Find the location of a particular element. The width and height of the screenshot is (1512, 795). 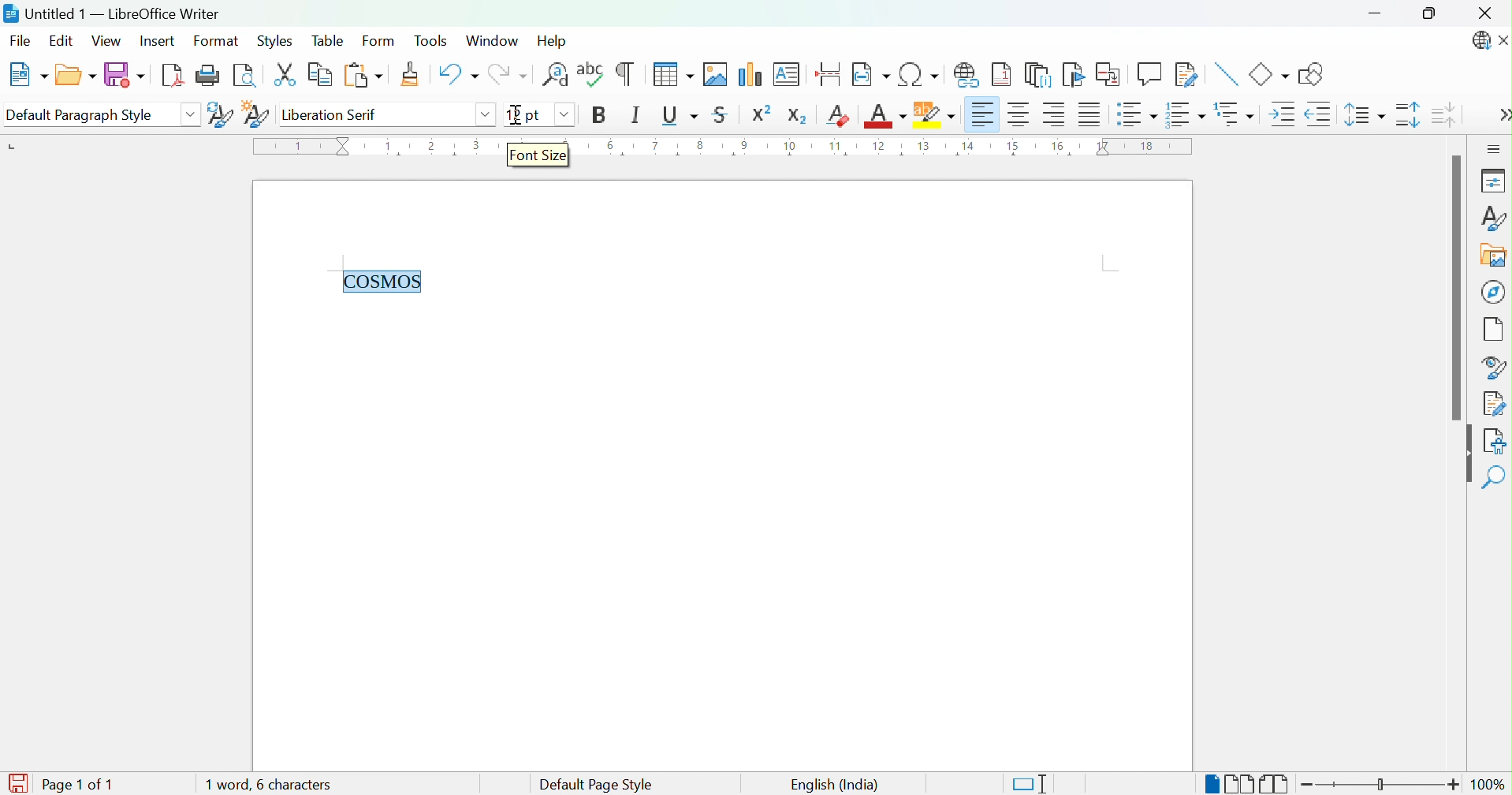

Strikethrough is located at coordinates (721, 117).